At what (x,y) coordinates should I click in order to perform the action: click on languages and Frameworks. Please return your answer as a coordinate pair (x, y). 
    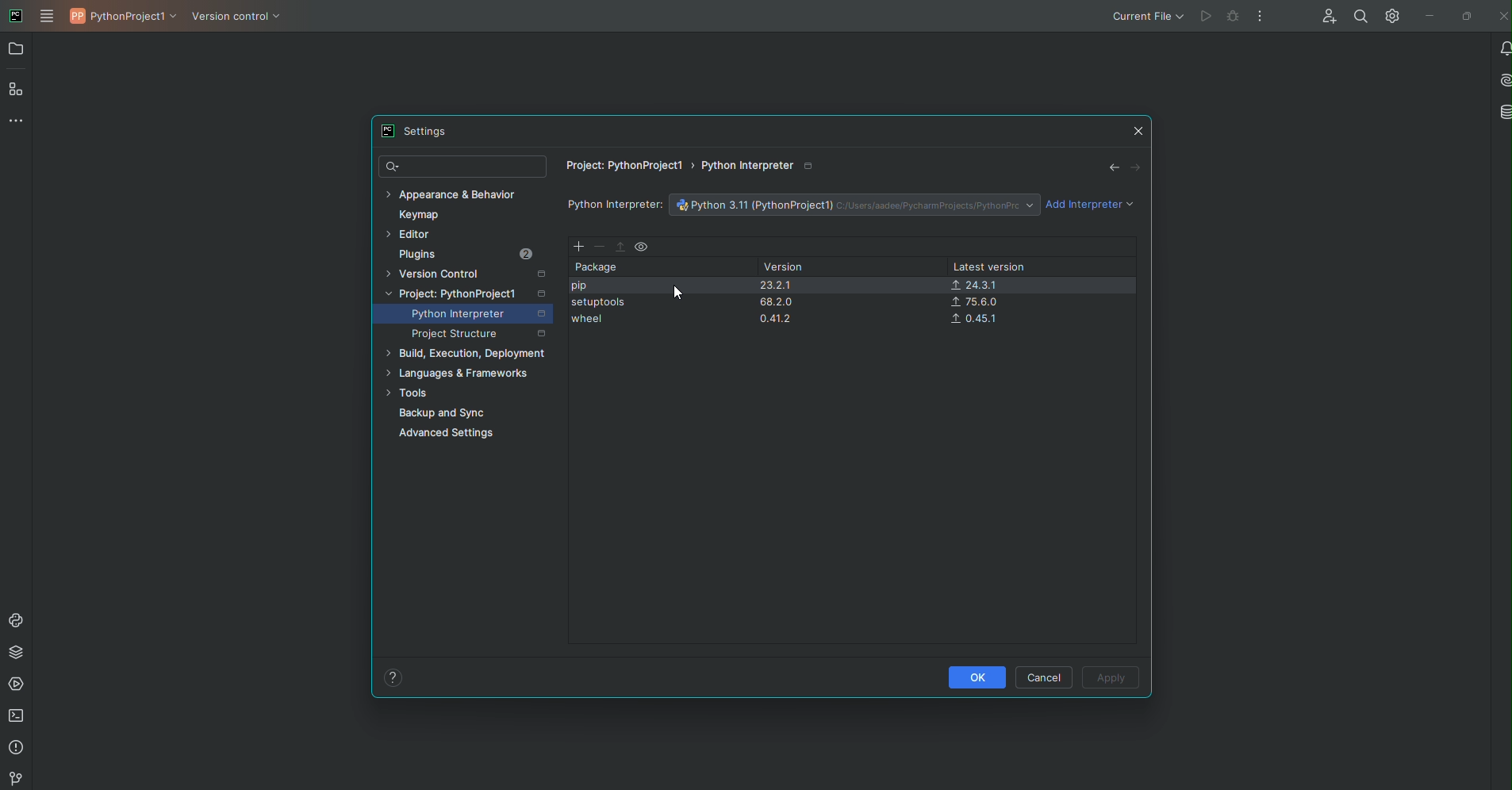
    Looking at the image, I should click on (462, 372).